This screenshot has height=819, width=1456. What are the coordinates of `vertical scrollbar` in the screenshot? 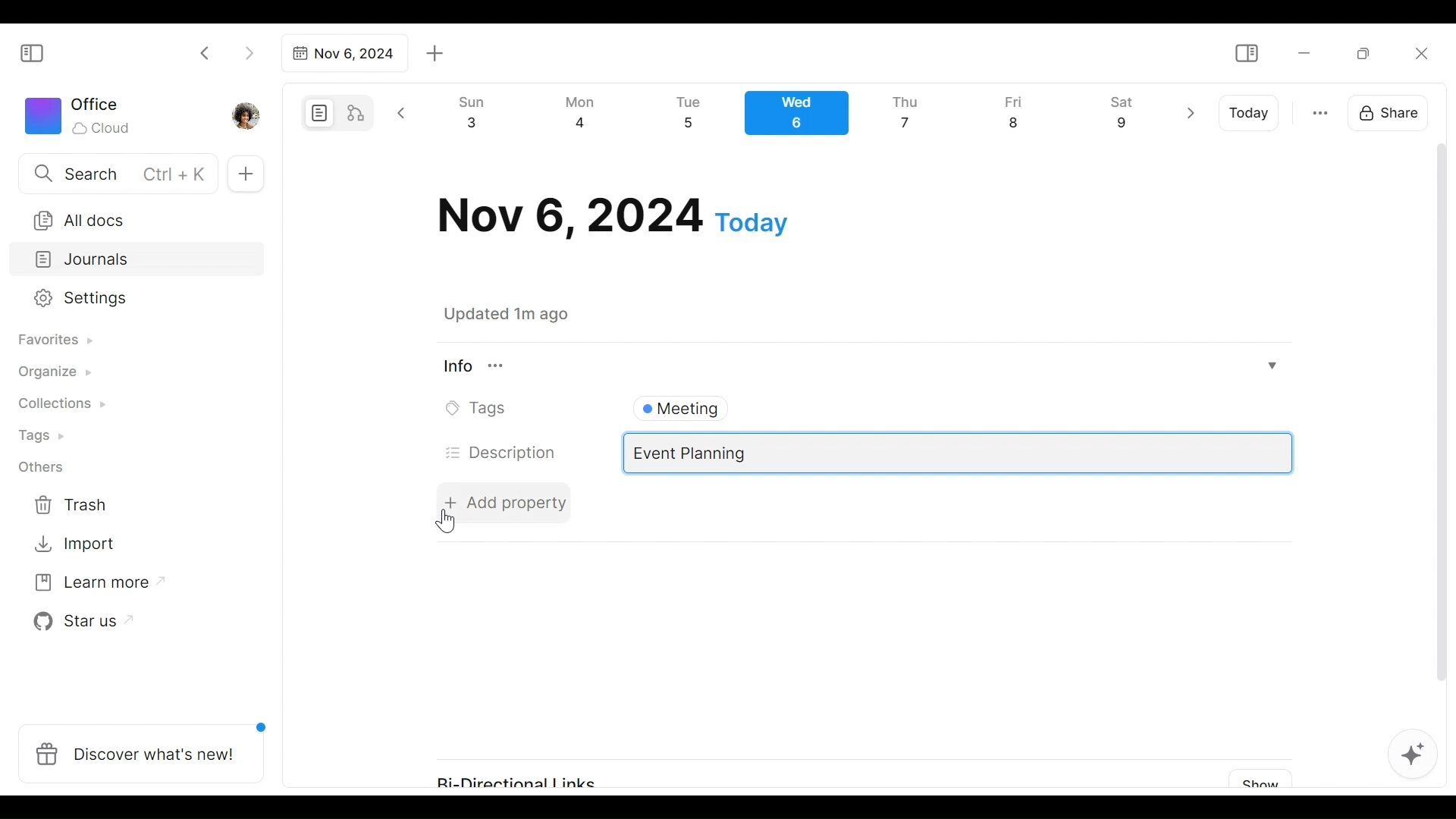 It's located at (1442, 431).